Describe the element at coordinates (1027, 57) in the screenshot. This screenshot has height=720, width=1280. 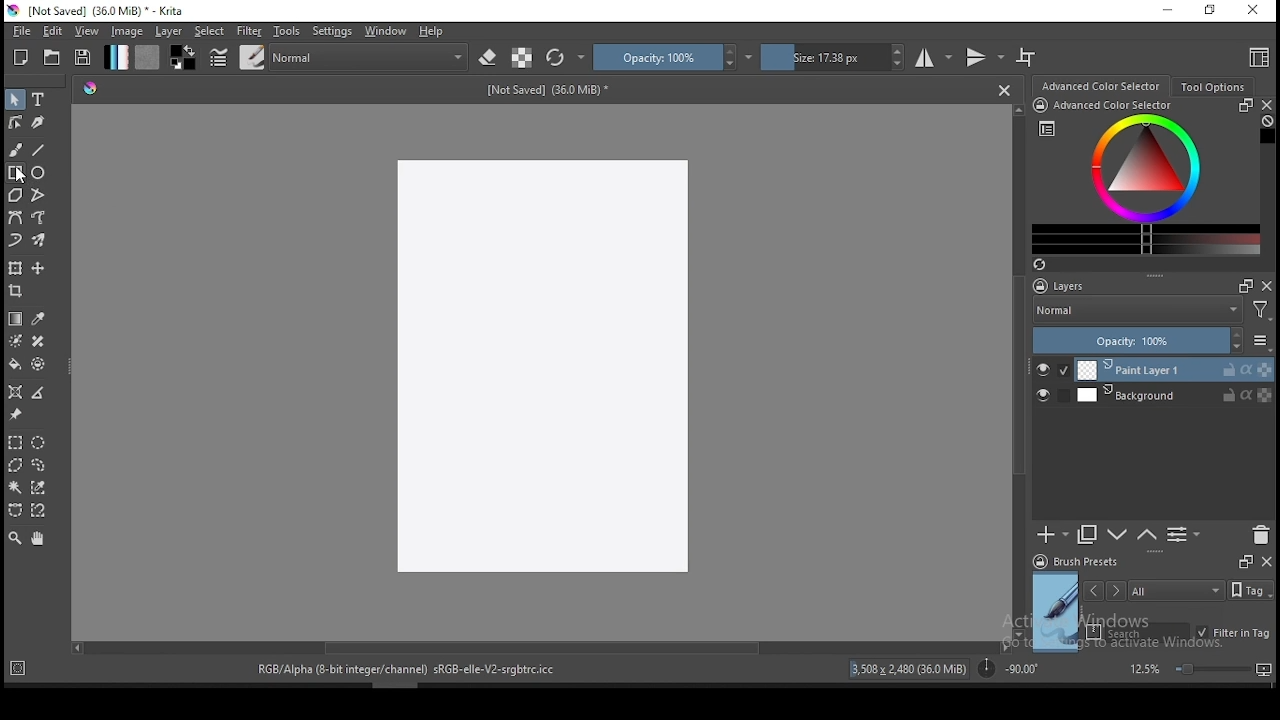
I see `wrap around mode` at that location.